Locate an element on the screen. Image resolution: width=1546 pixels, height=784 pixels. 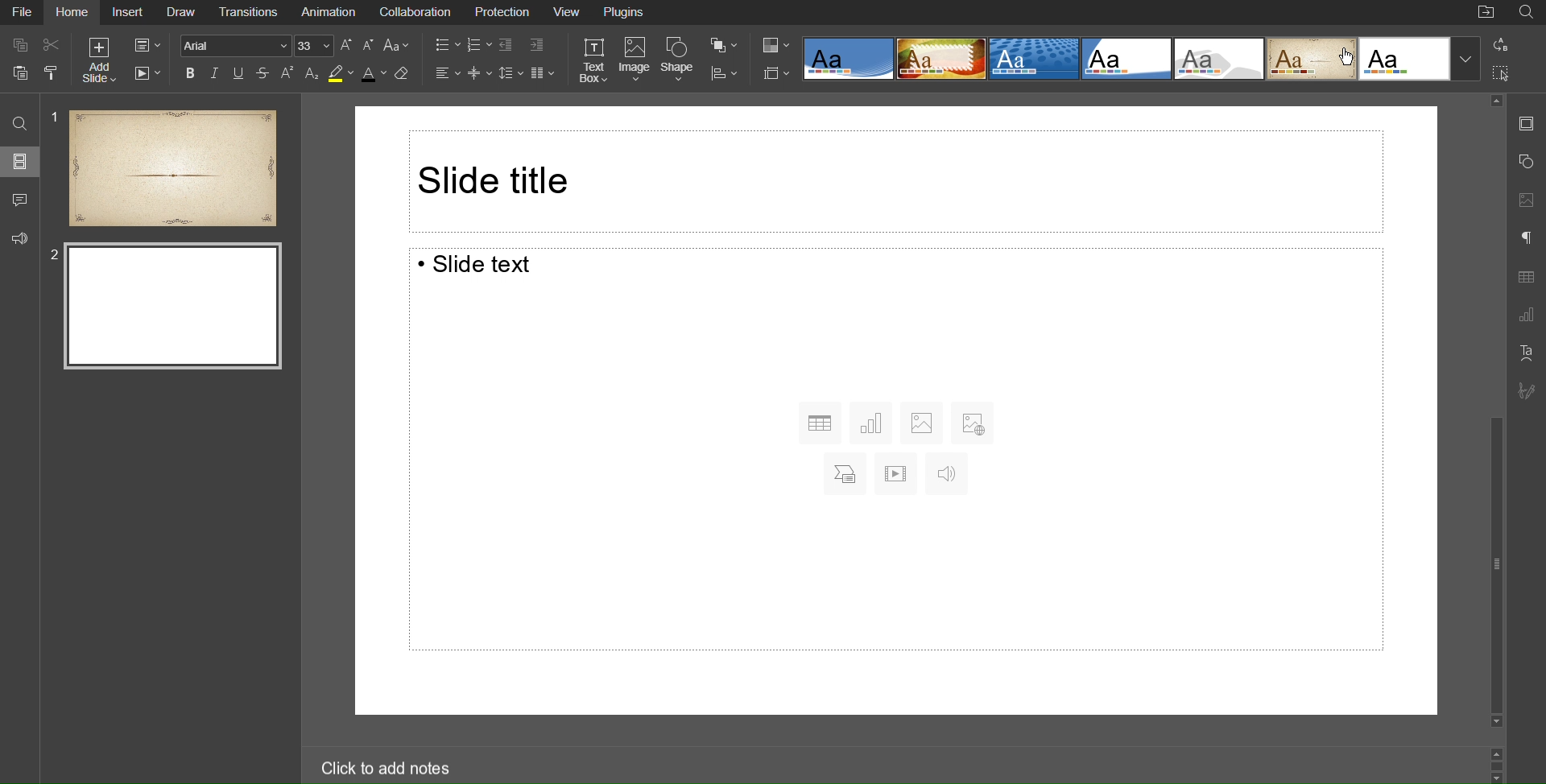
Line Spacing is located at coordinates (511, 72).